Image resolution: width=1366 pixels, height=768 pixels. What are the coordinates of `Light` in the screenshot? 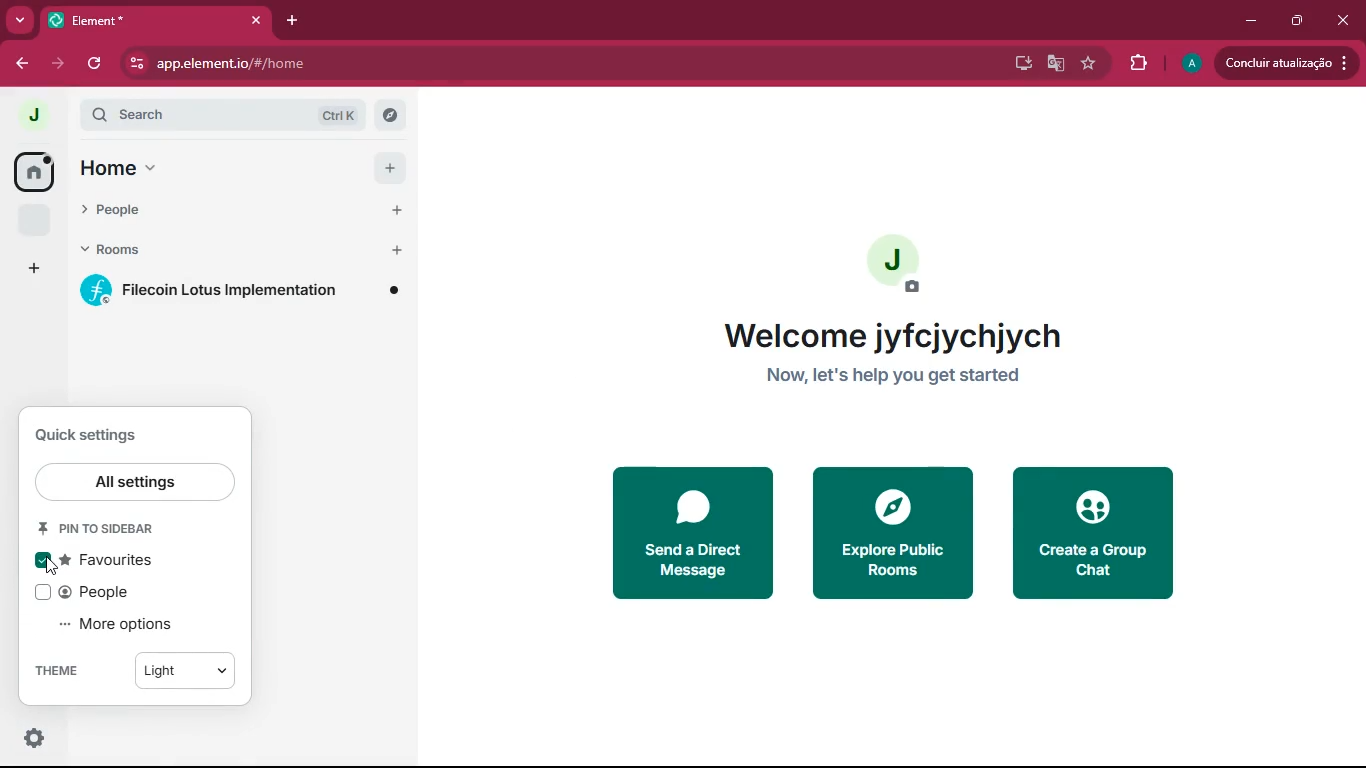 It's located at (186, 670).